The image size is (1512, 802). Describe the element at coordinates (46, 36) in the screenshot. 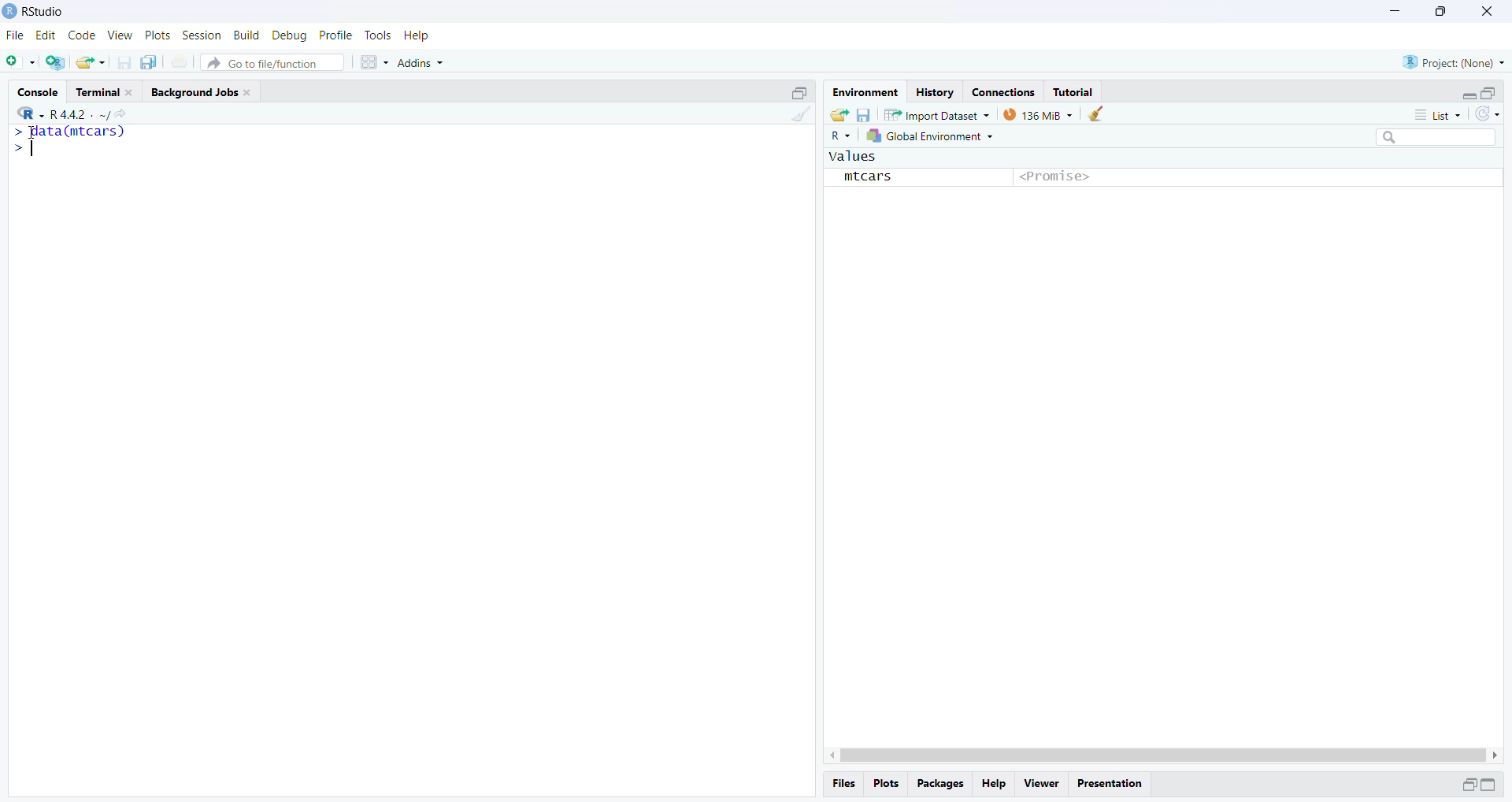

I see `Edit` at that location.